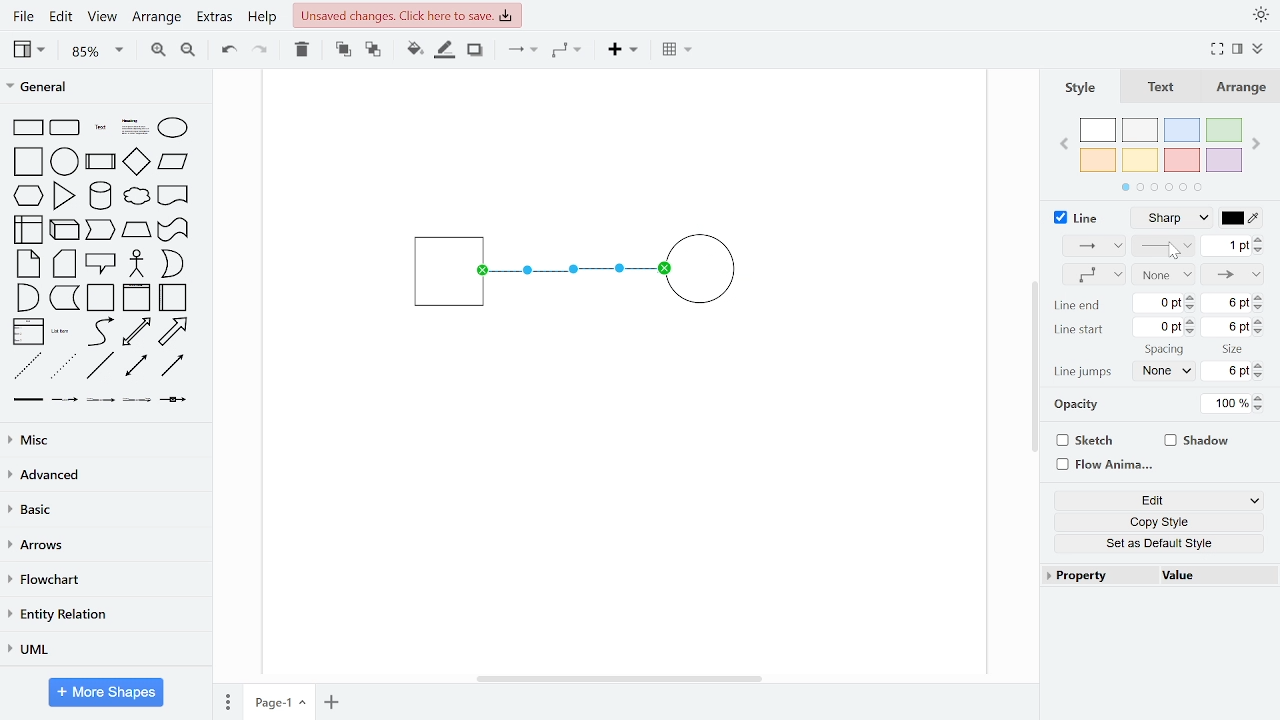  What do you see at coordinates (66, 228) in the screenshot?
I see `cube` at bounding box center [66, 228].